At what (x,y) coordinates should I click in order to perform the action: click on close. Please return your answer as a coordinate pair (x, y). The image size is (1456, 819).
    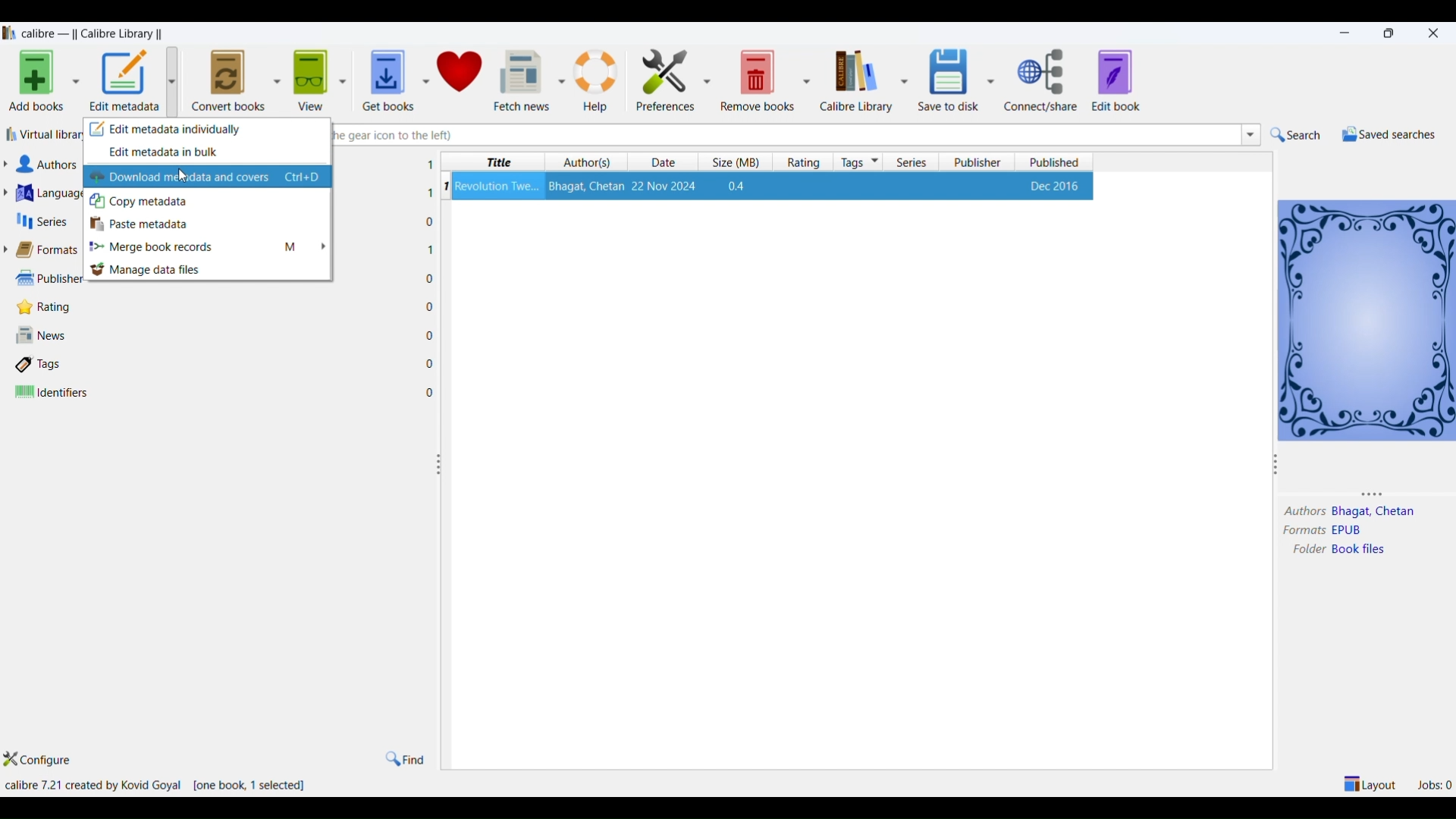
    Looking at the image, I should click on (1434, 31).